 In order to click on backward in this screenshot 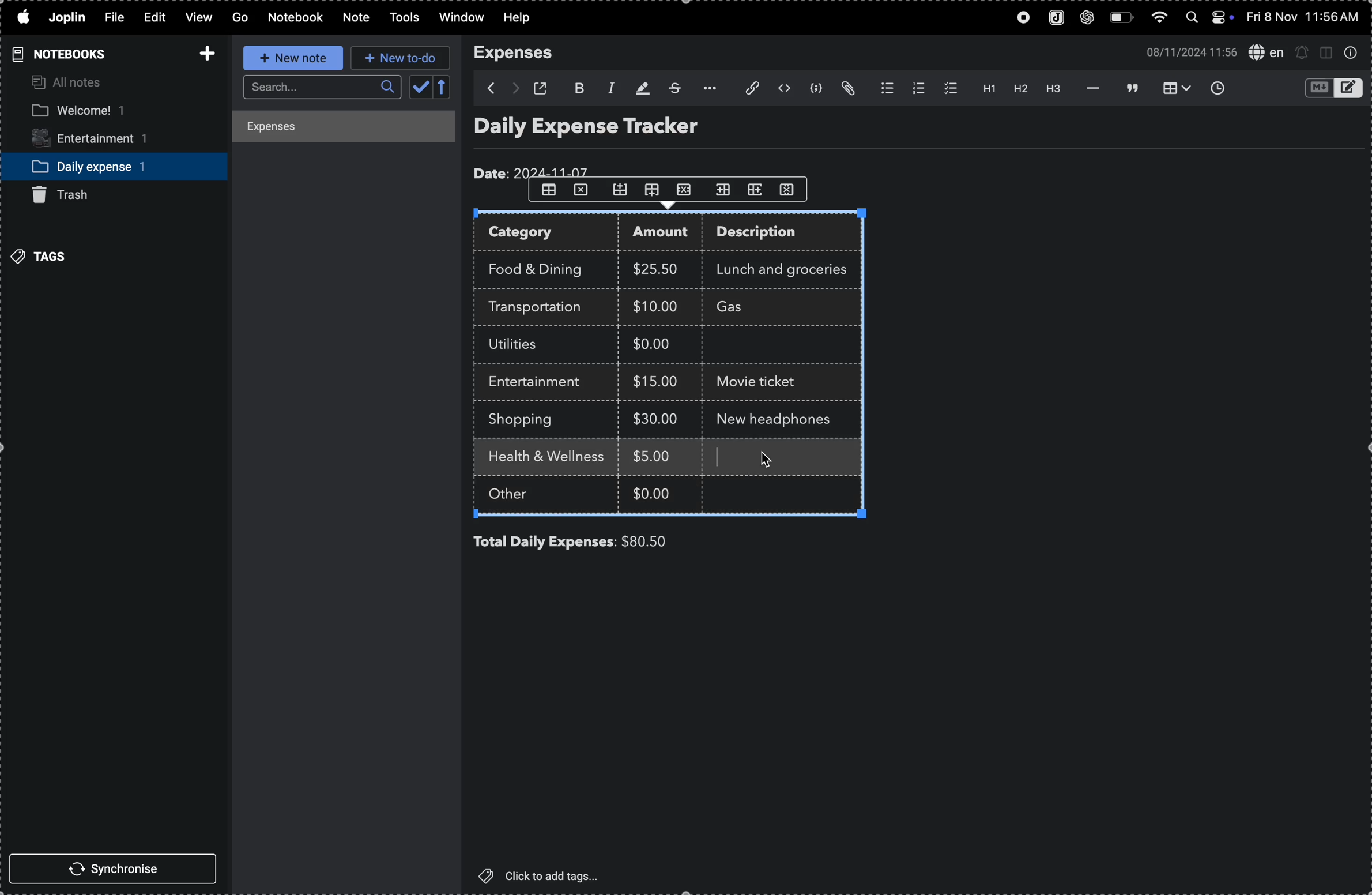, I will do `click(485, 88)`.